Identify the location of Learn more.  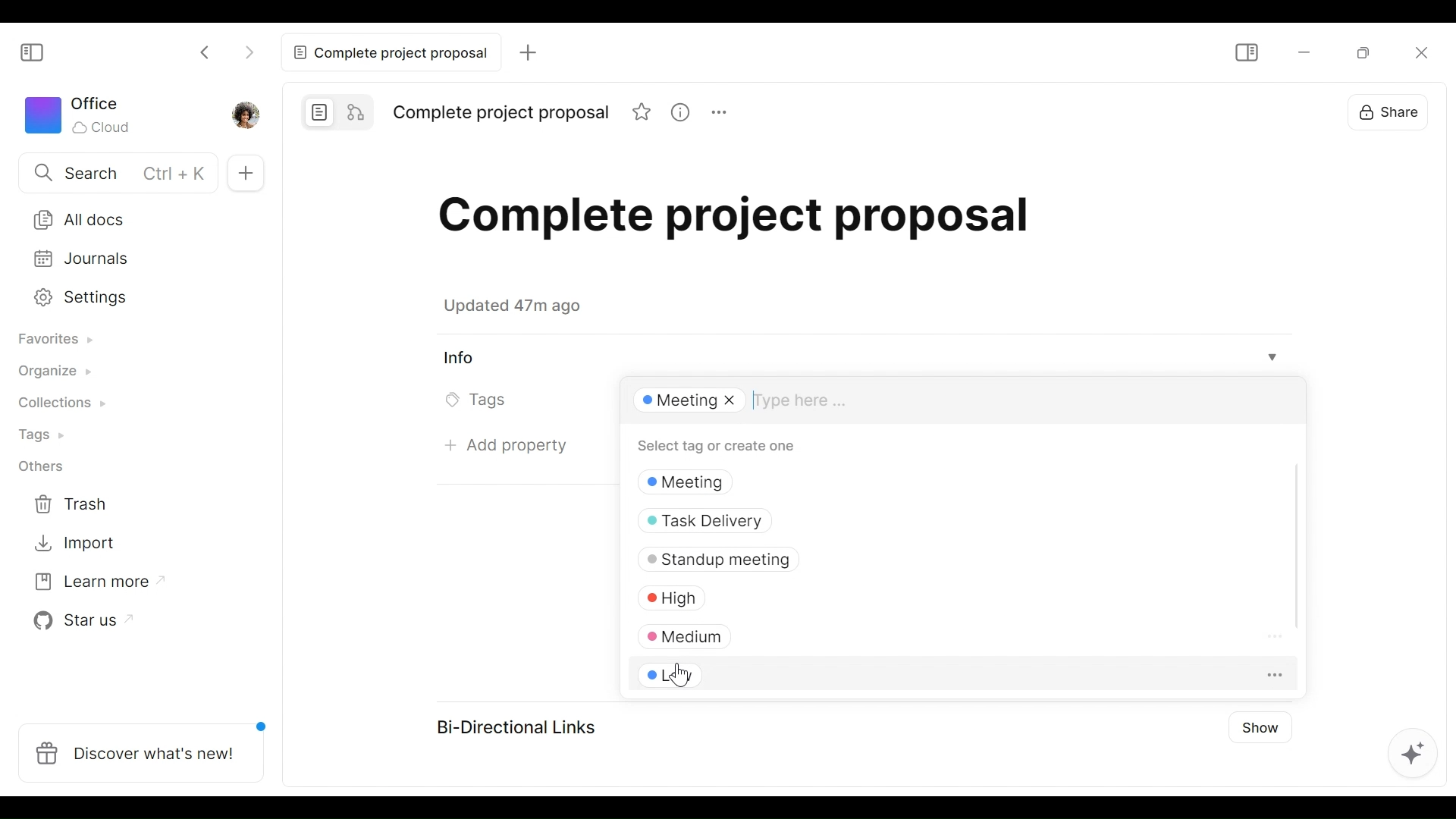
(93, 585).